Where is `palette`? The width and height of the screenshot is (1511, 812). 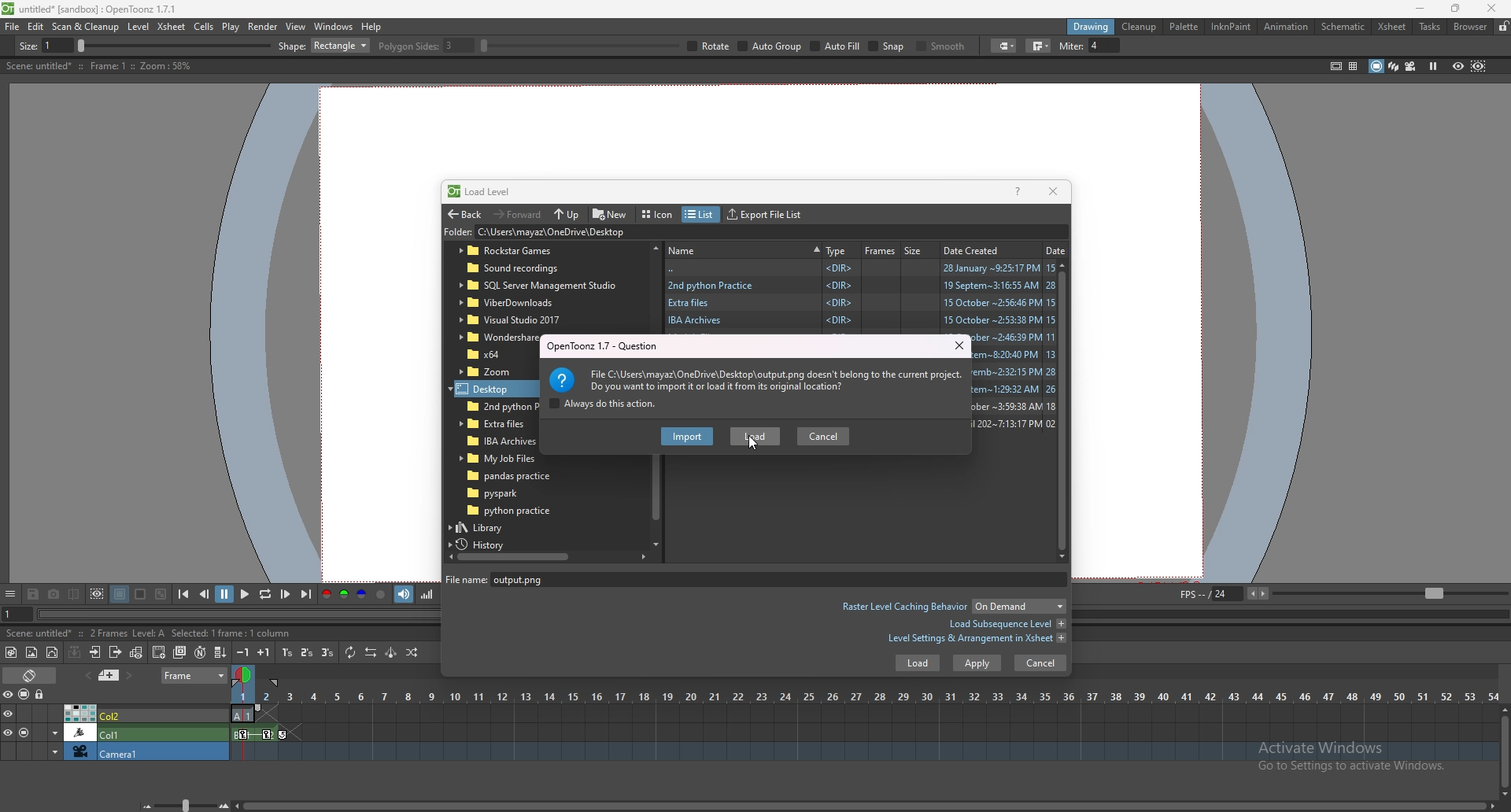 palette is located at coordinates (1184, 26).